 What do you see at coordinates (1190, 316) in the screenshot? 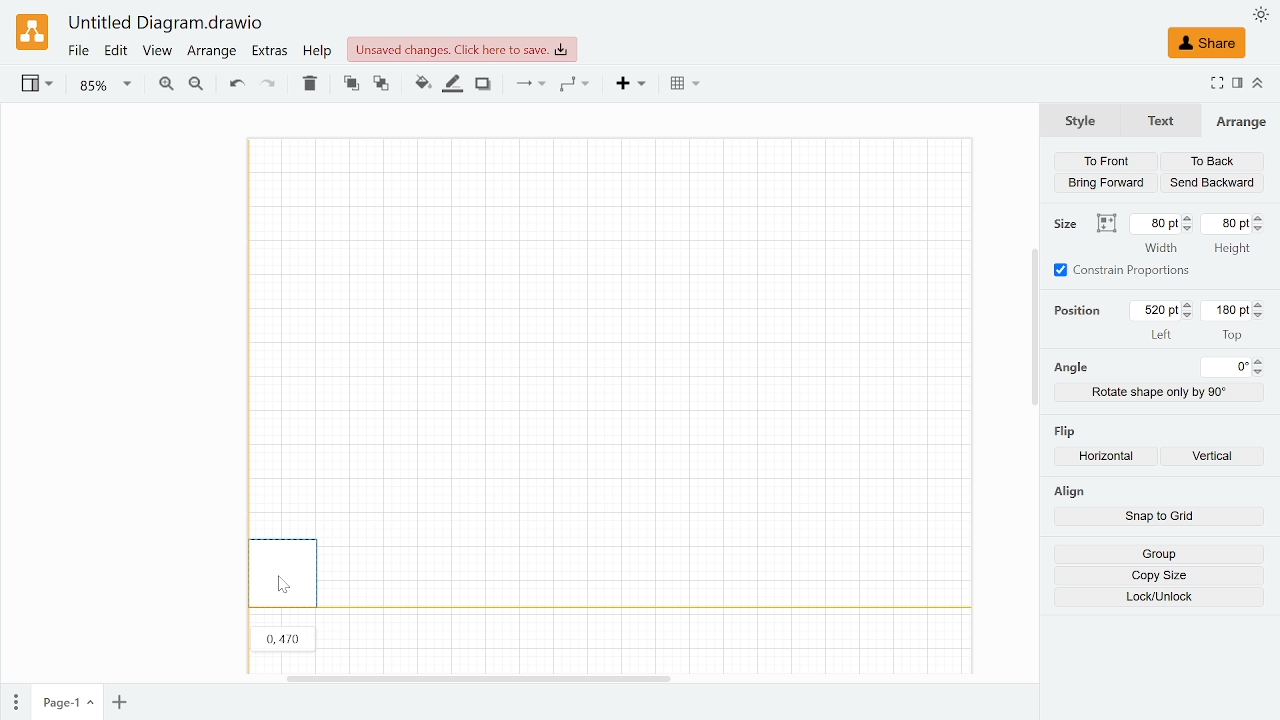
I see `Decrease left` at bounding box center [1190, 316].